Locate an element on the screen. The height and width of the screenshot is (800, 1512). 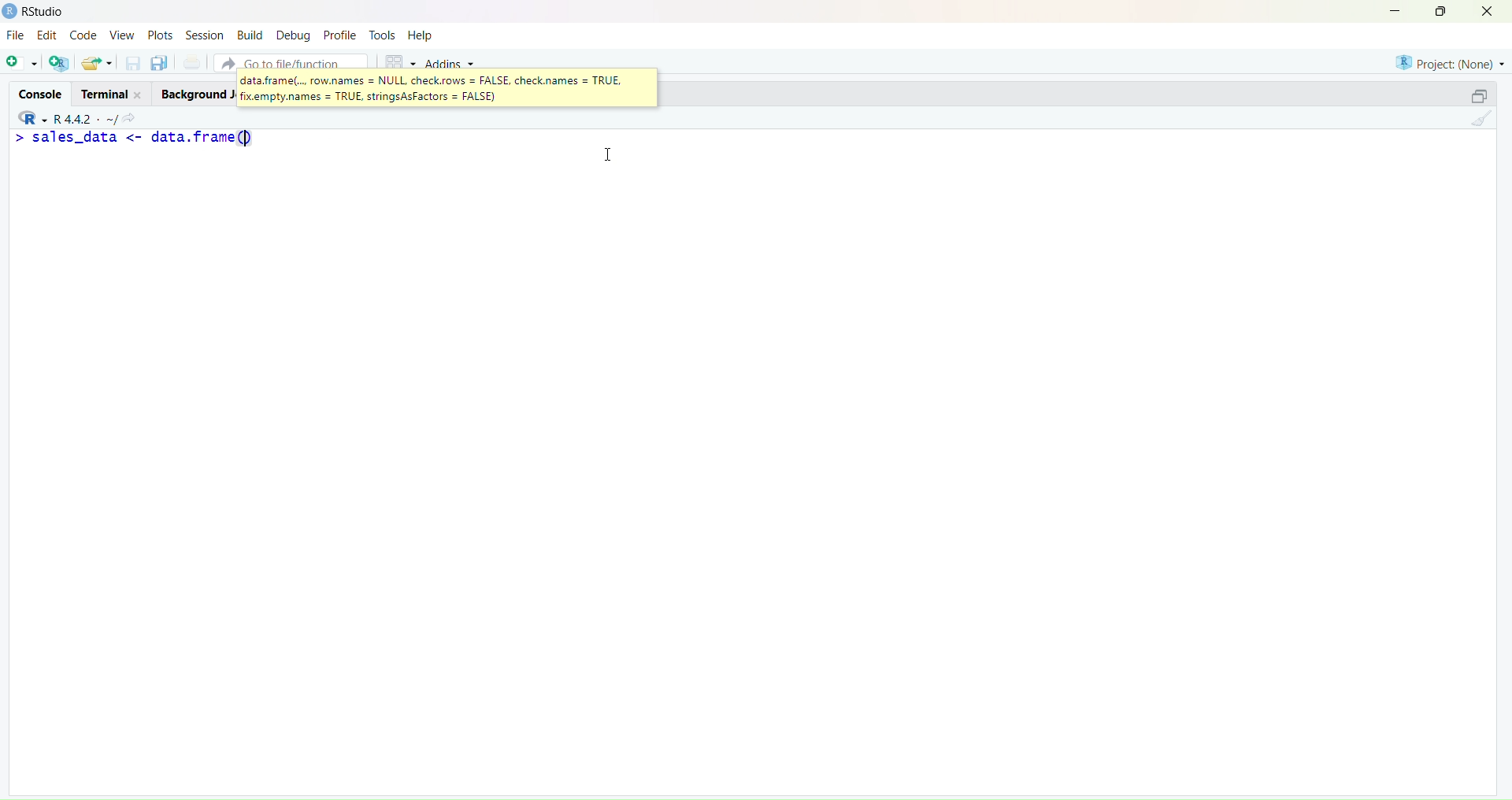
Terminal is located at coordinates (108, 93).